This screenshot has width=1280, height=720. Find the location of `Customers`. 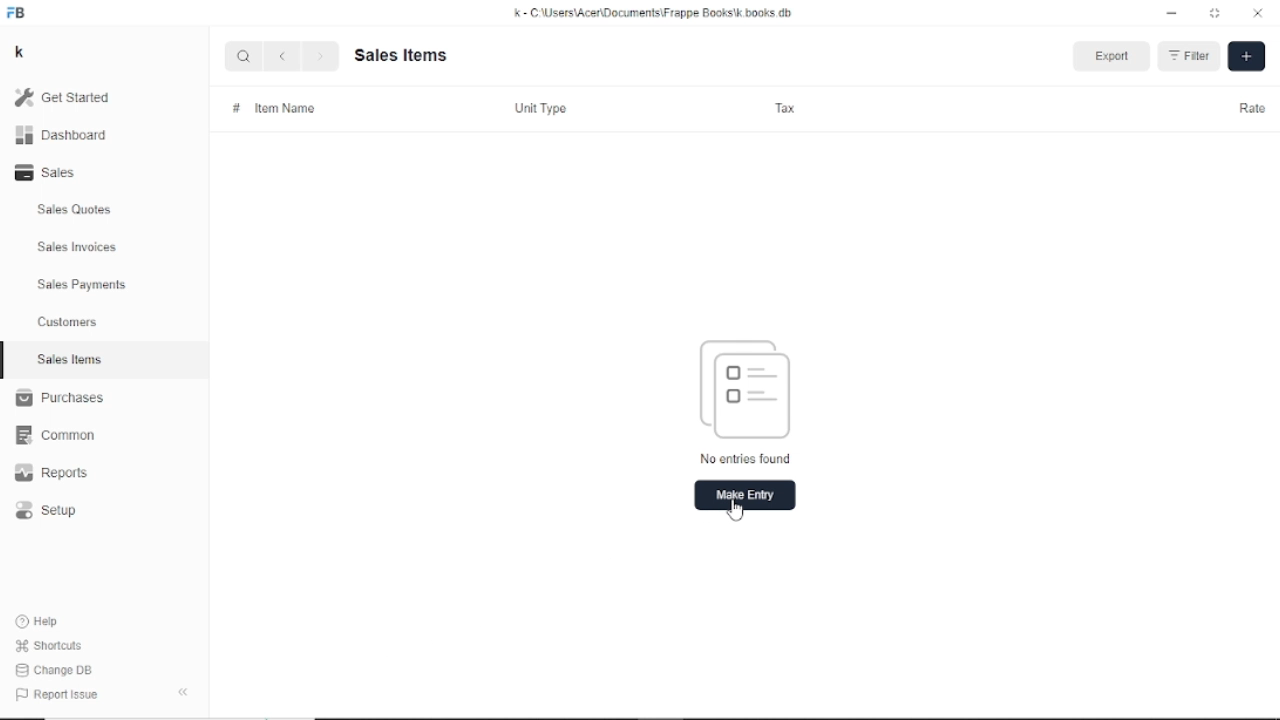

Customers is located at coordinates (69, 321).